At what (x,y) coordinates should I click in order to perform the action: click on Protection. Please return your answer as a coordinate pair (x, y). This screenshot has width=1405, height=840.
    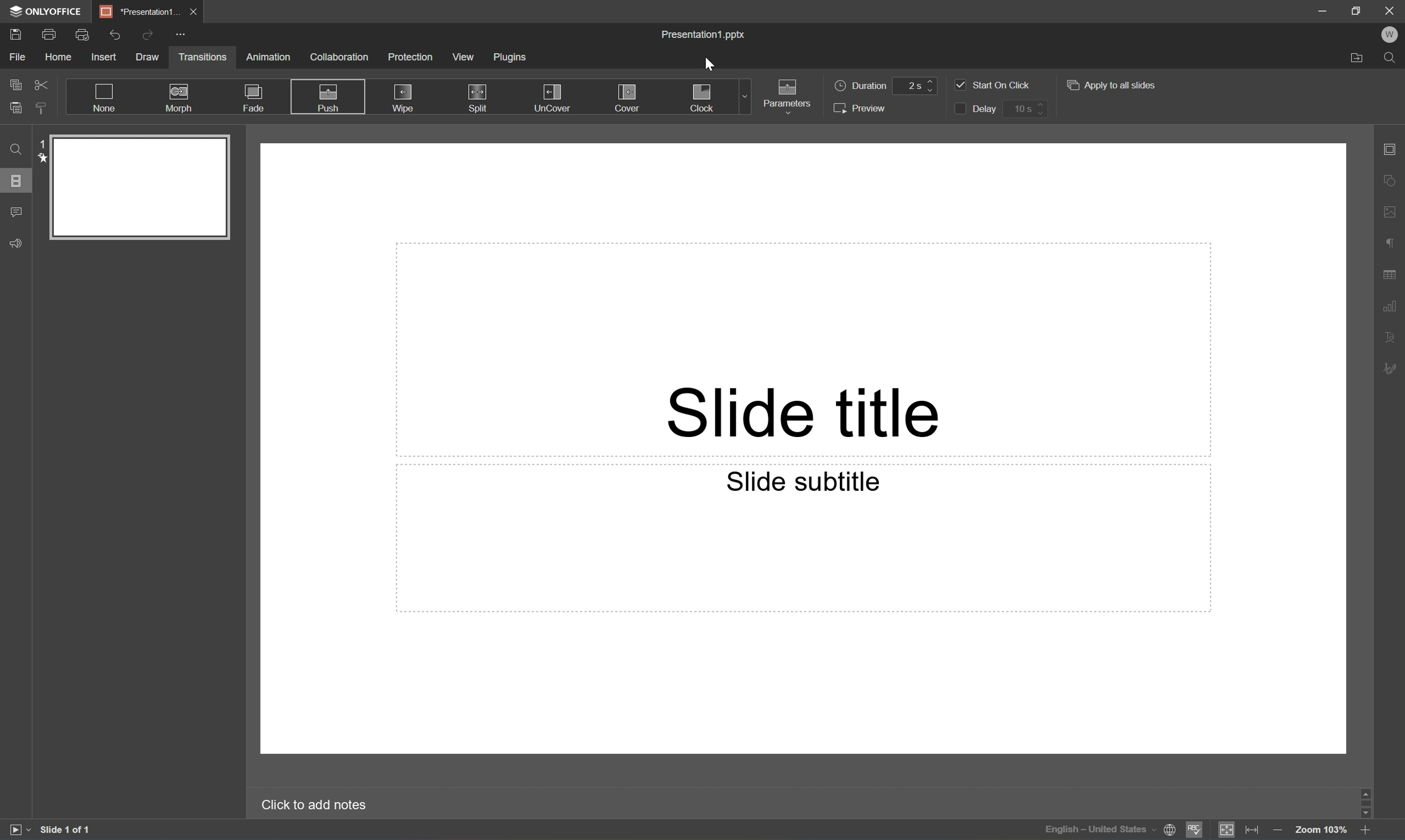
    Looking at the image, I should click on (409, 57).